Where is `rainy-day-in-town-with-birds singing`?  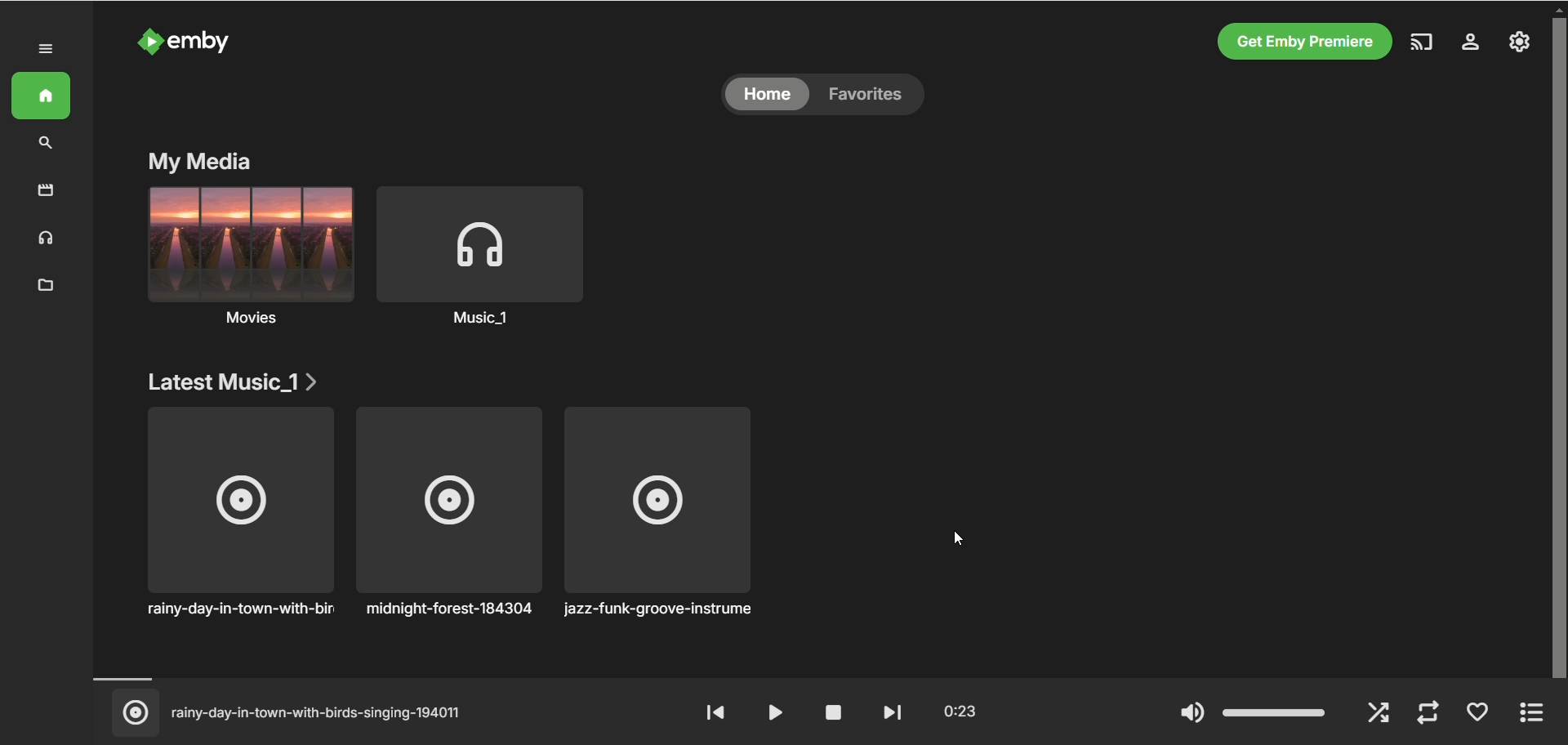
rainy-day-in-town-with-birds singing is located at coordinates (234, 511).